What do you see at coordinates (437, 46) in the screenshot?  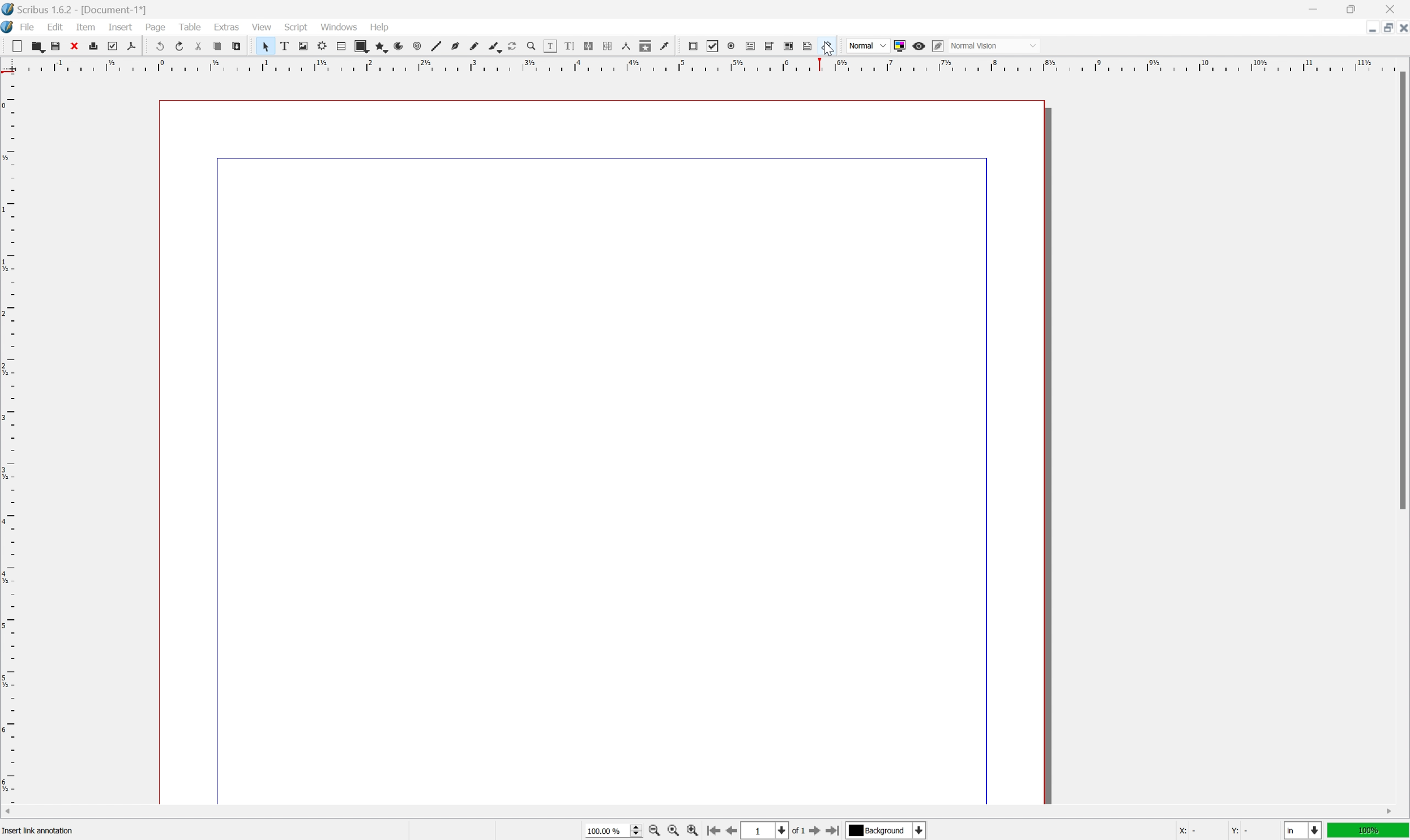 I see `line` at bounding box center [437, 46].